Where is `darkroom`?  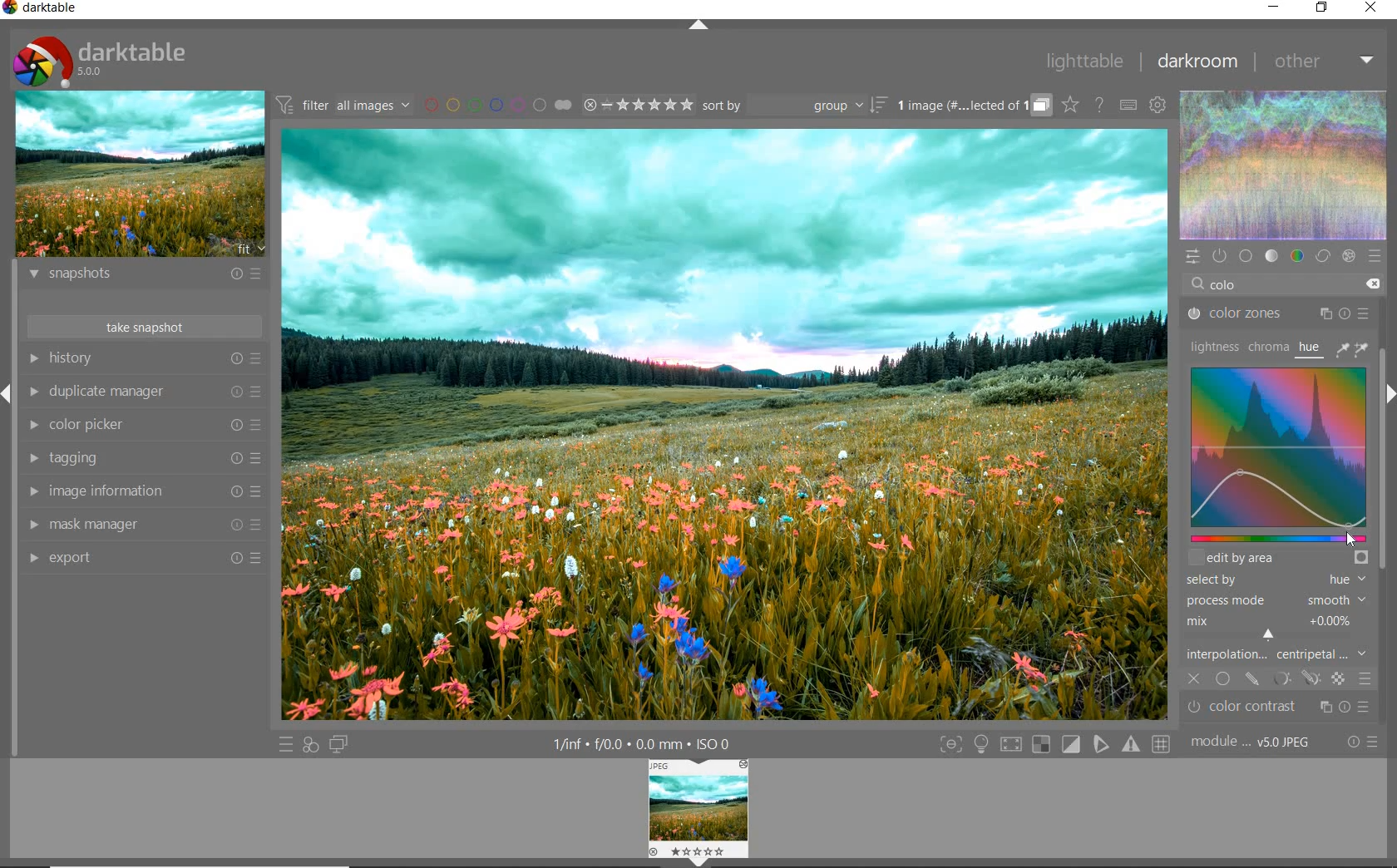 darkroom is located at coordinates (1199, 62).